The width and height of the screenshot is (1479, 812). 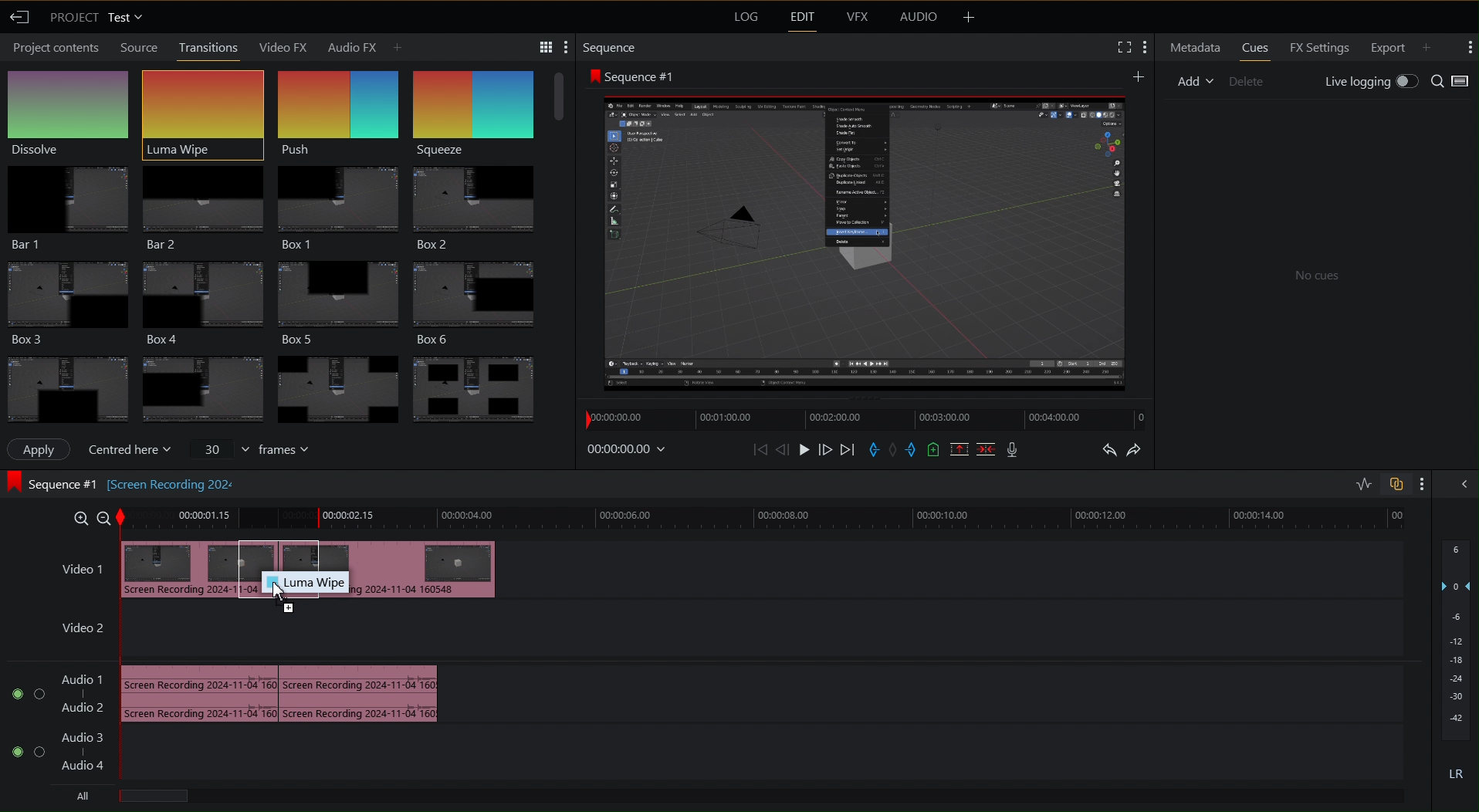 I want to click on FX Settings, so click(x=1320, y=48).